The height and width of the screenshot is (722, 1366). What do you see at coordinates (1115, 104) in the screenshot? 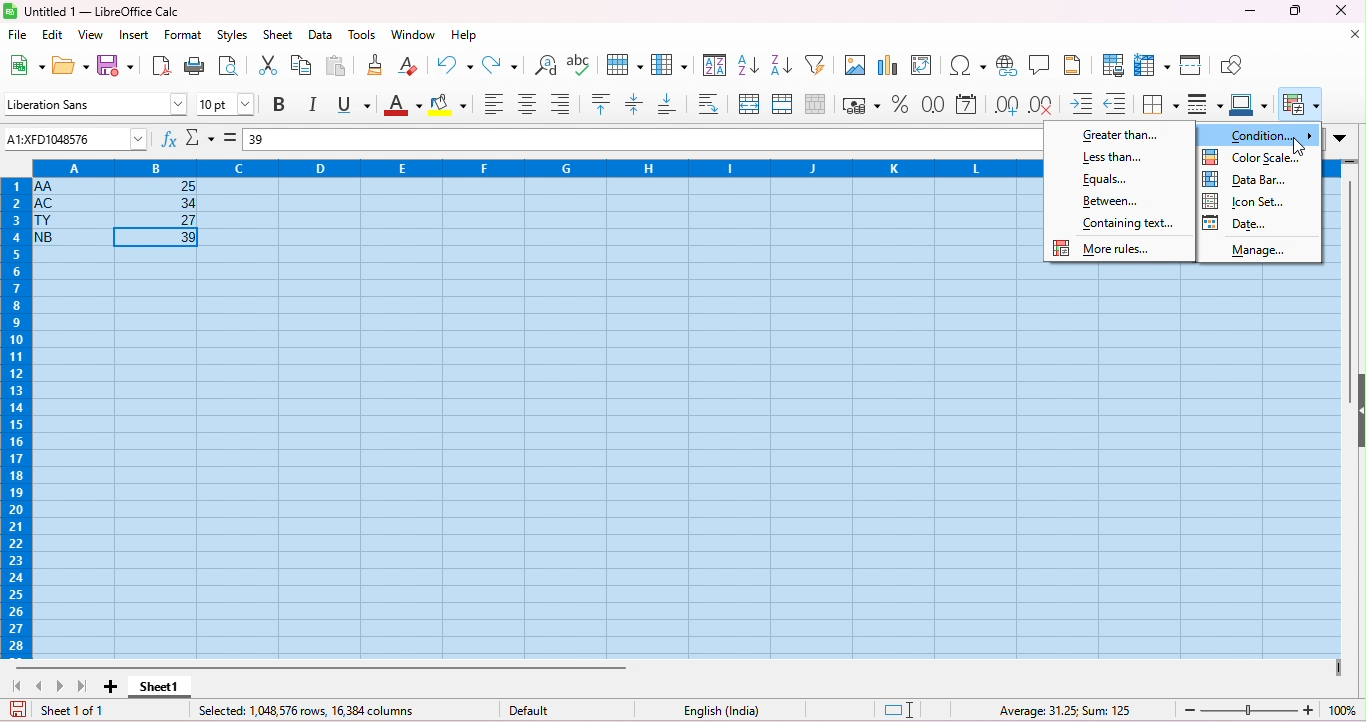
I see `decrease indent` at bounding box center [1115, 104].